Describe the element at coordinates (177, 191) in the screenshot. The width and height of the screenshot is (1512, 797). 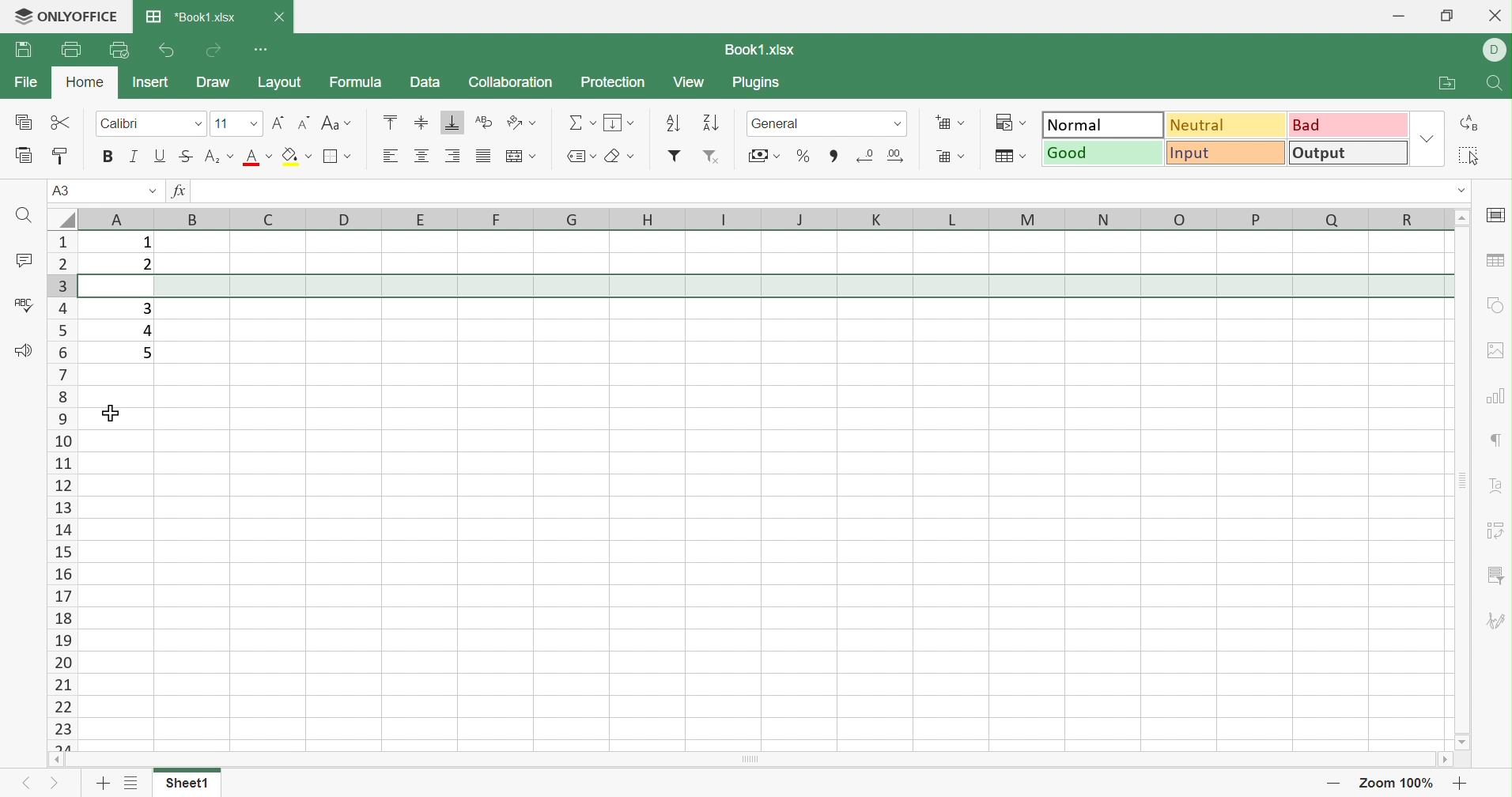
I see `` at that location.